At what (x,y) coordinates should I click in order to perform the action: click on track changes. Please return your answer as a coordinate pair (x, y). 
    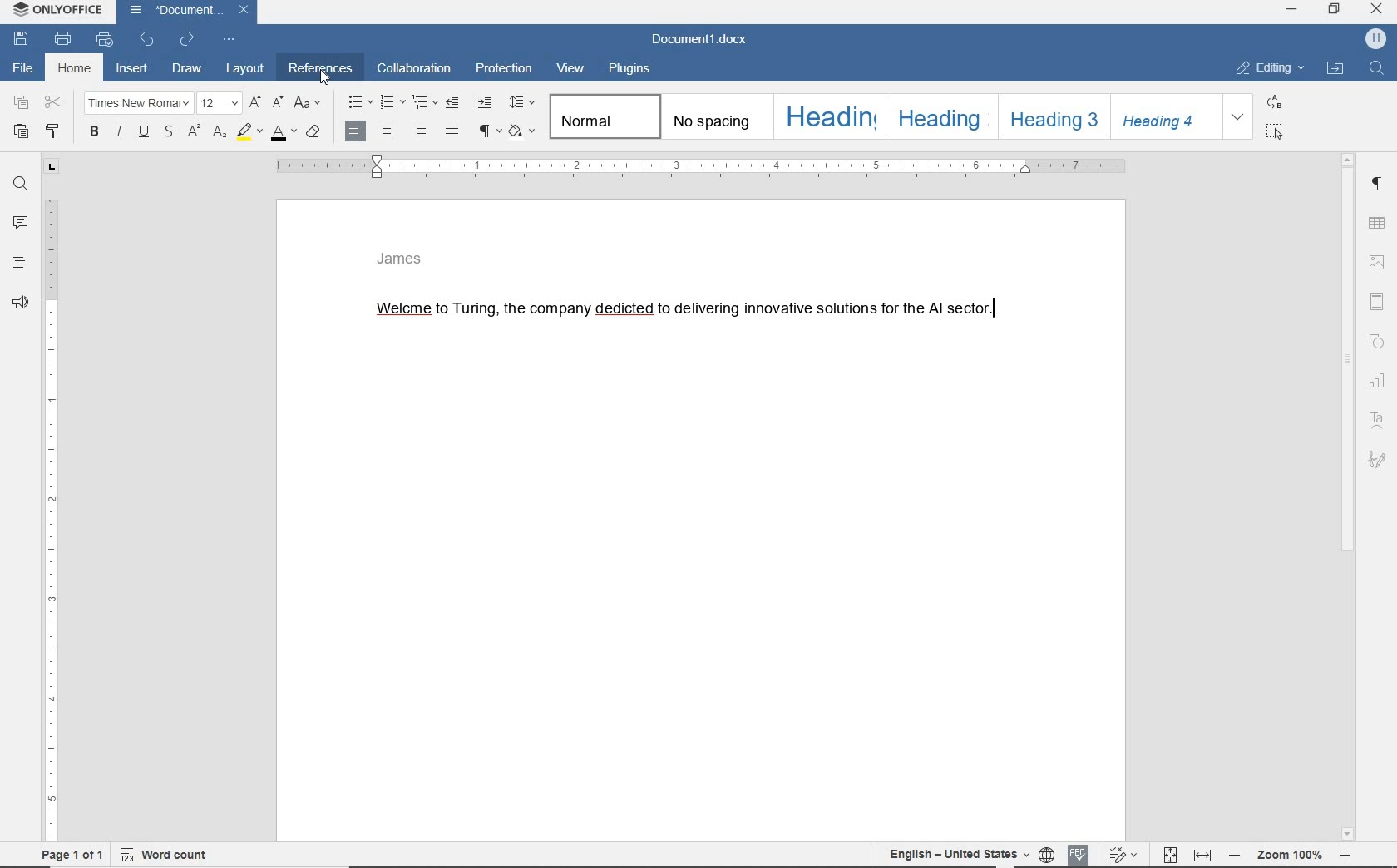
    Looking at the image, I should click on (1123, 854).